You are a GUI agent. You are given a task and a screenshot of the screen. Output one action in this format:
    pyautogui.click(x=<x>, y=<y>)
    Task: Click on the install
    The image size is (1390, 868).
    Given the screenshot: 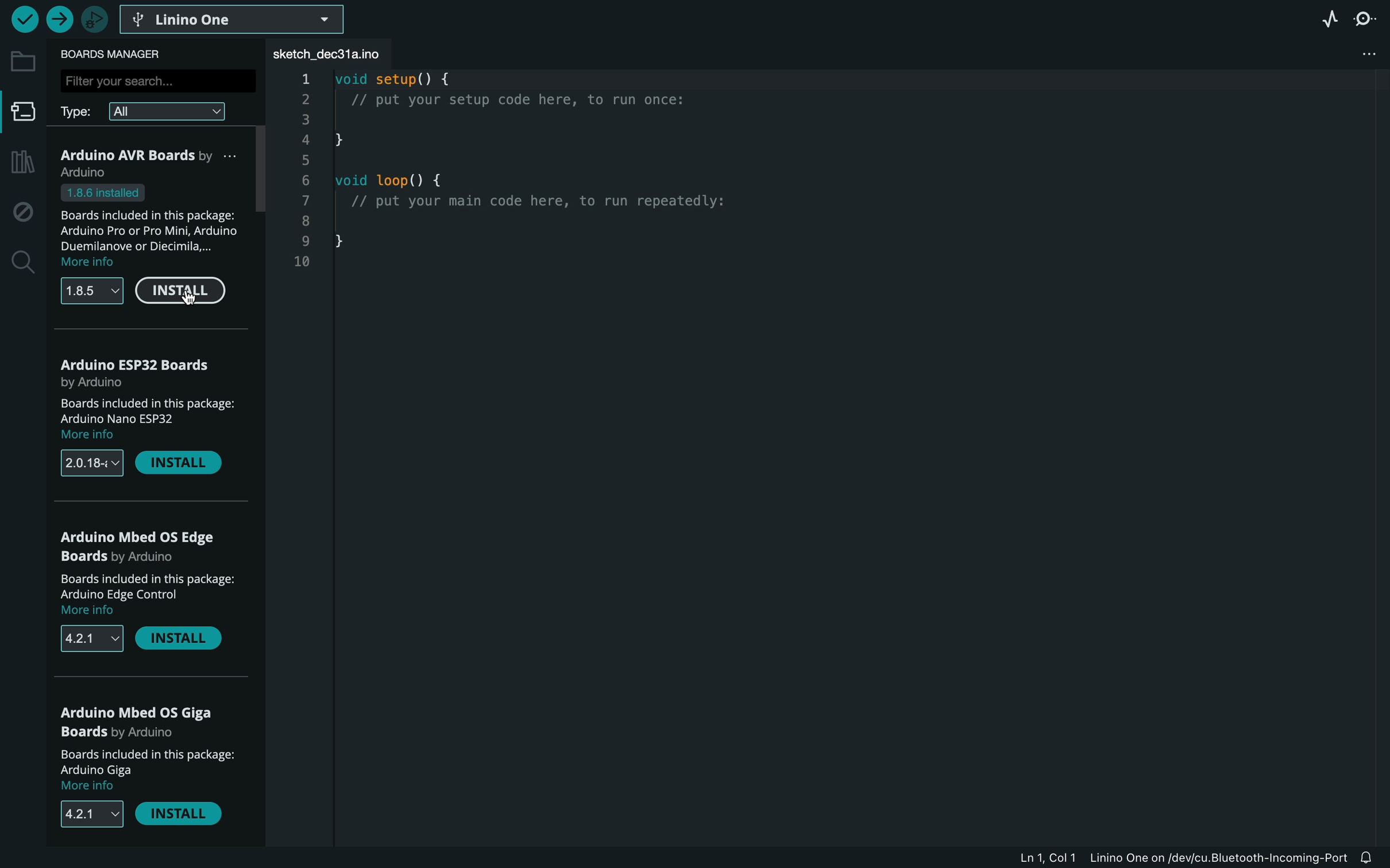 What is the action you would take?
    pyautogui.click(x=183, y=641)
    